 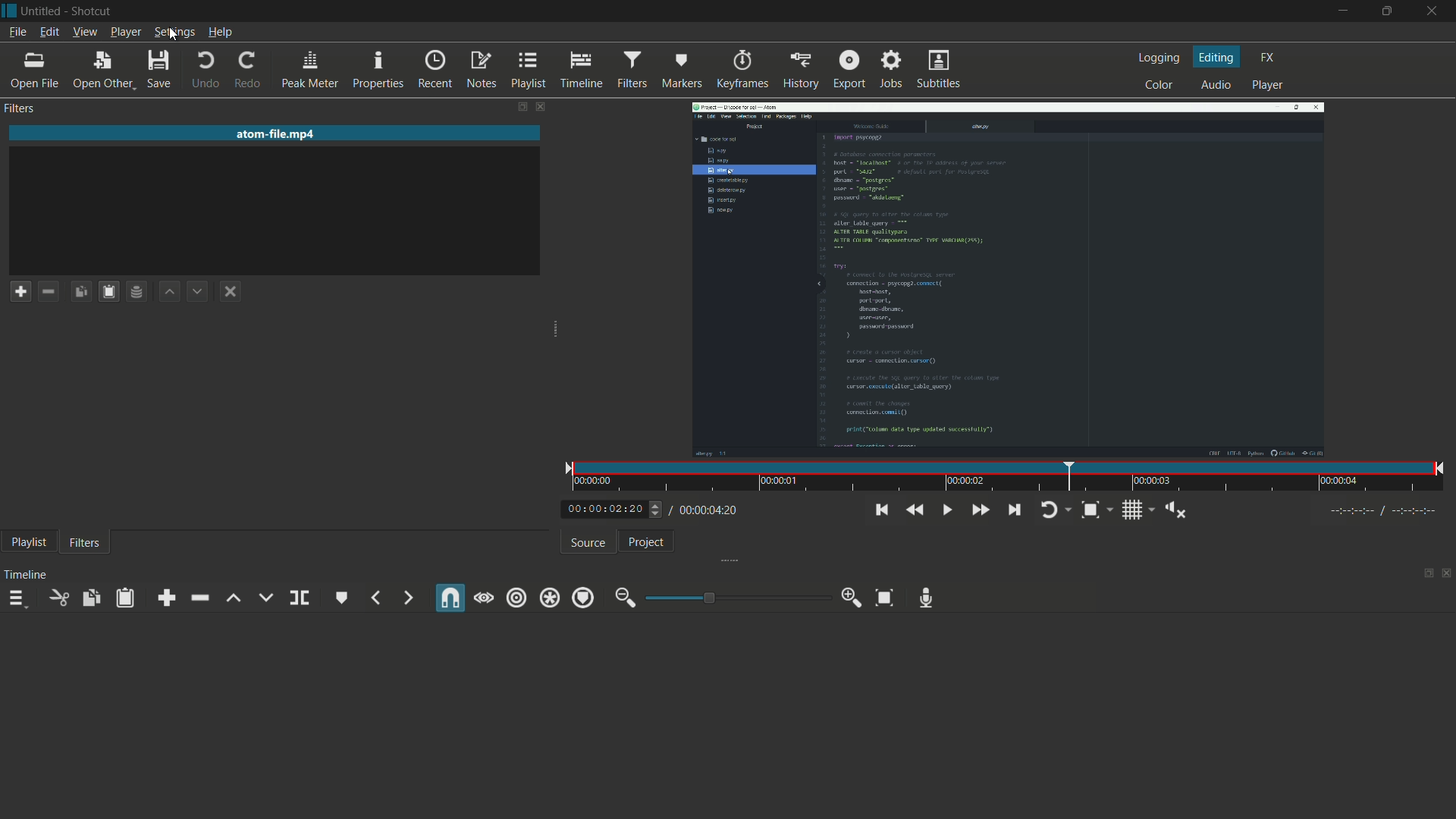 What do you see at coordinates (264, 596) in the screenshot?
I see `overwrite` at bounding box center [264, 596].